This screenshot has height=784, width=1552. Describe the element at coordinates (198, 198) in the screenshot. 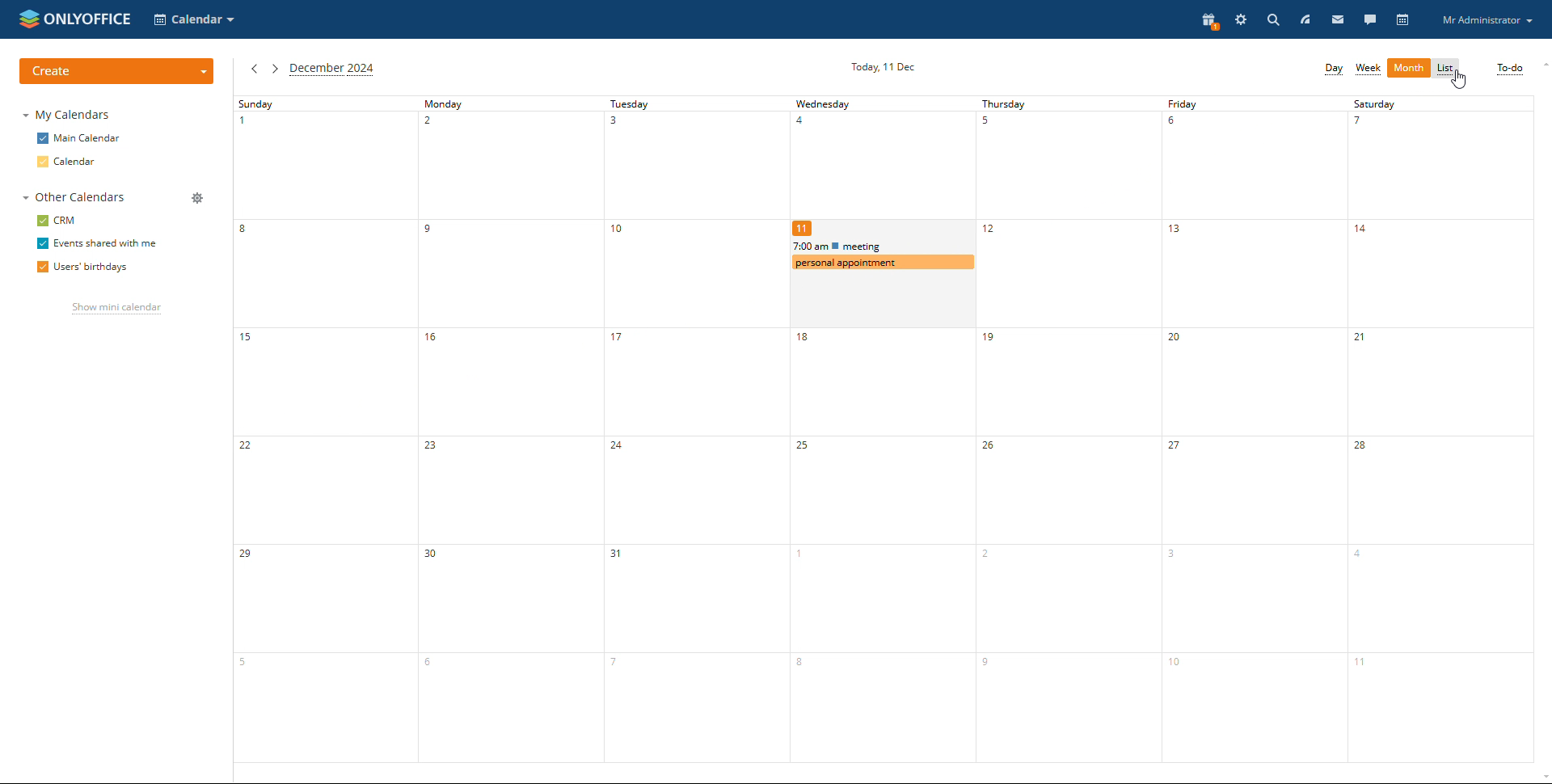

I see `manage` at that location.